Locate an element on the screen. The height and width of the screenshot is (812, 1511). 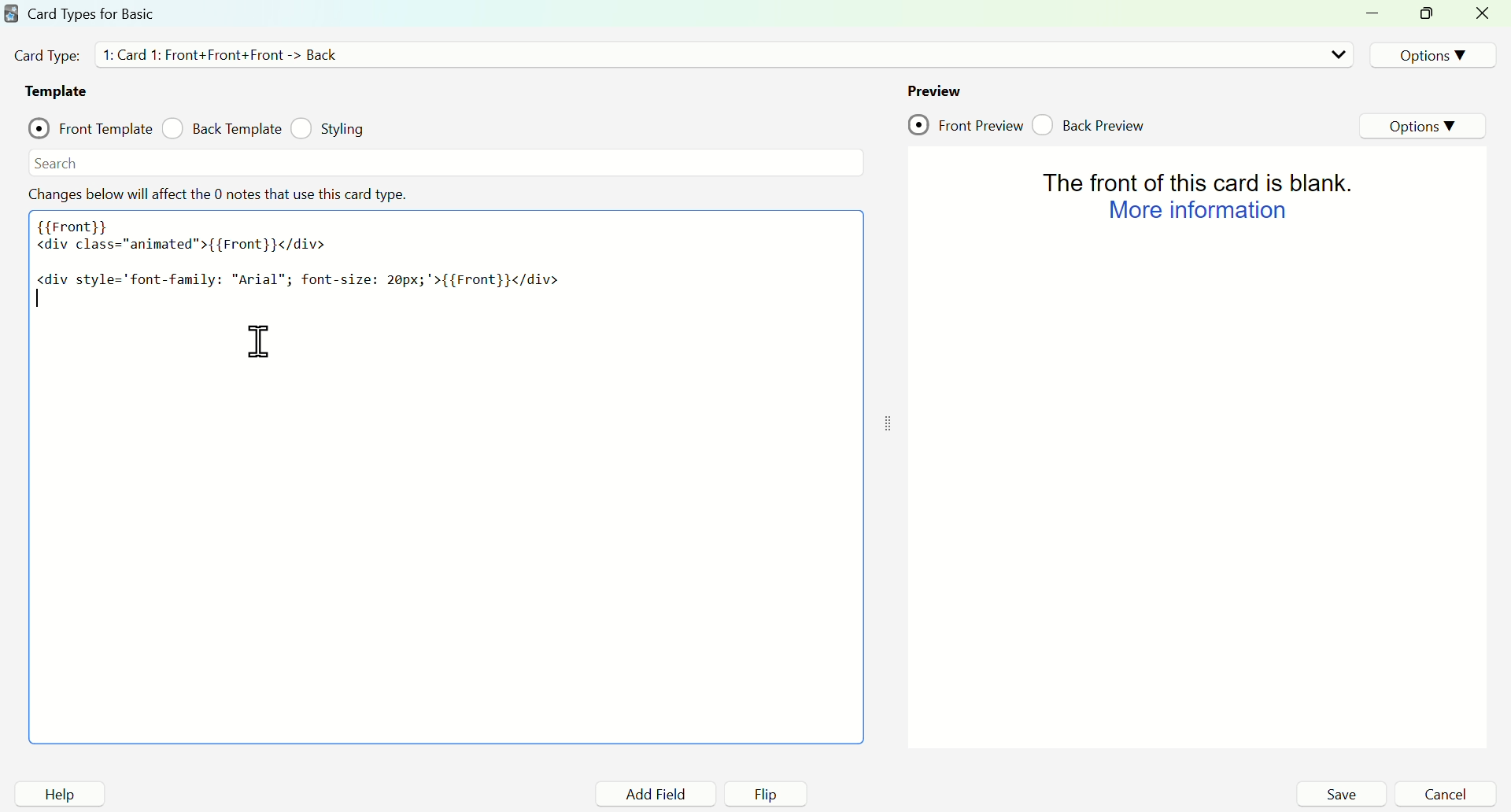
The front of this card is blank is located at coordinates (1189, 179).